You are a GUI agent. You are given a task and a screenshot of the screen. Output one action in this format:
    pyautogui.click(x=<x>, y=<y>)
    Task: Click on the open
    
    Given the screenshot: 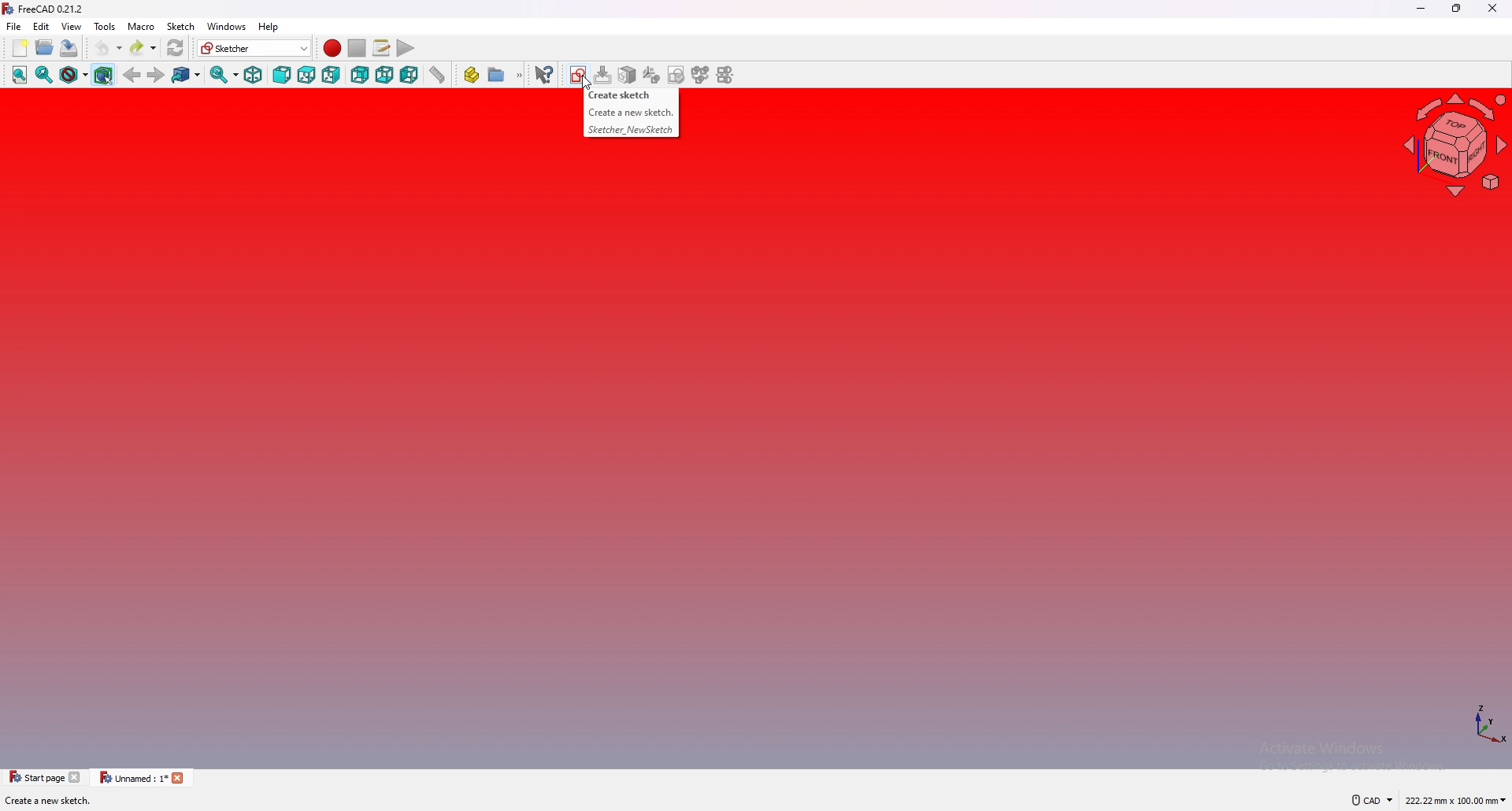 What is the action you would take?
    pyautogui.click(x=45, y=47)
    